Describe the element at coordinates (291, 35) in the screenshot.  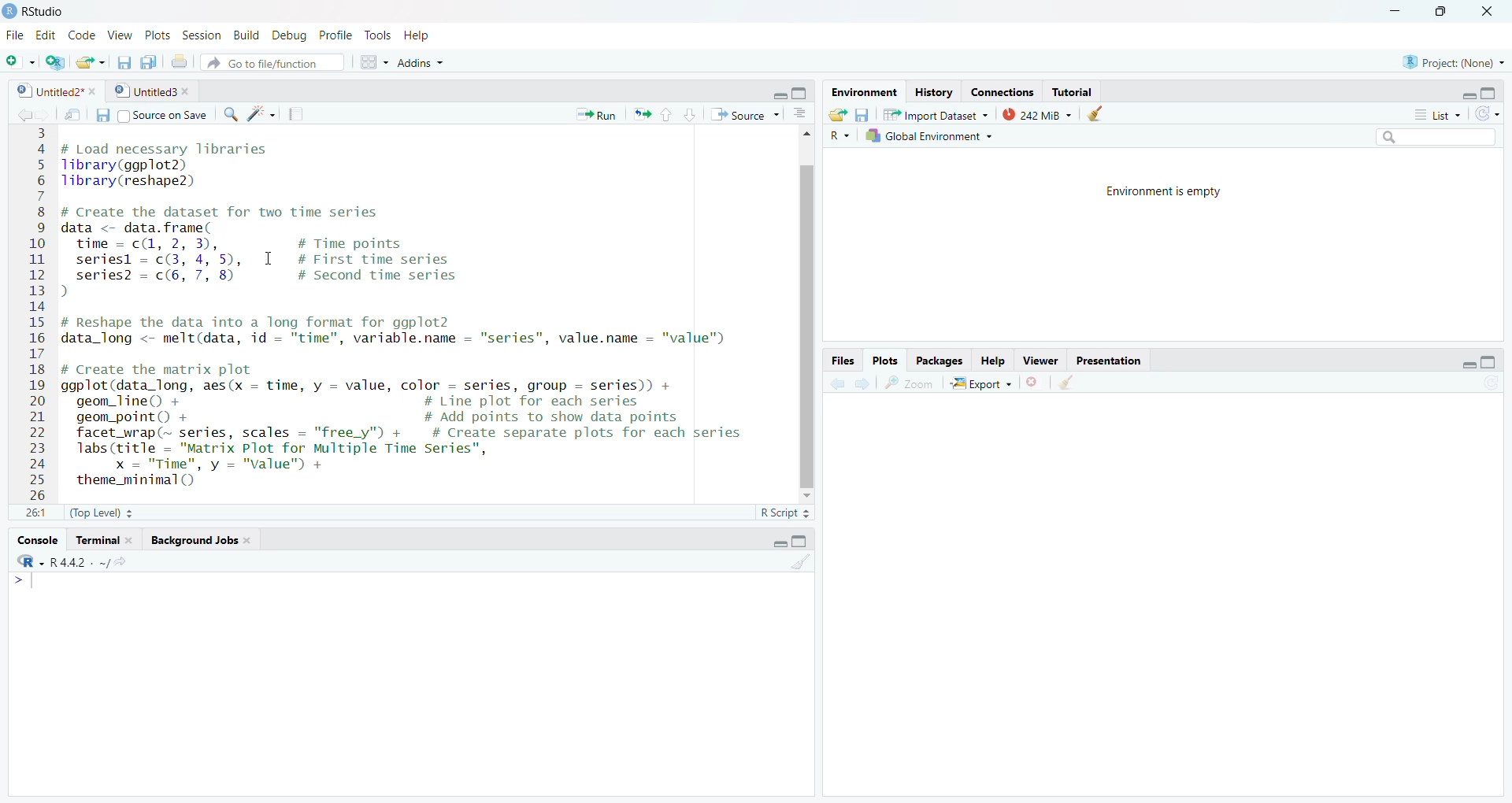
I see `Debug` at that location.